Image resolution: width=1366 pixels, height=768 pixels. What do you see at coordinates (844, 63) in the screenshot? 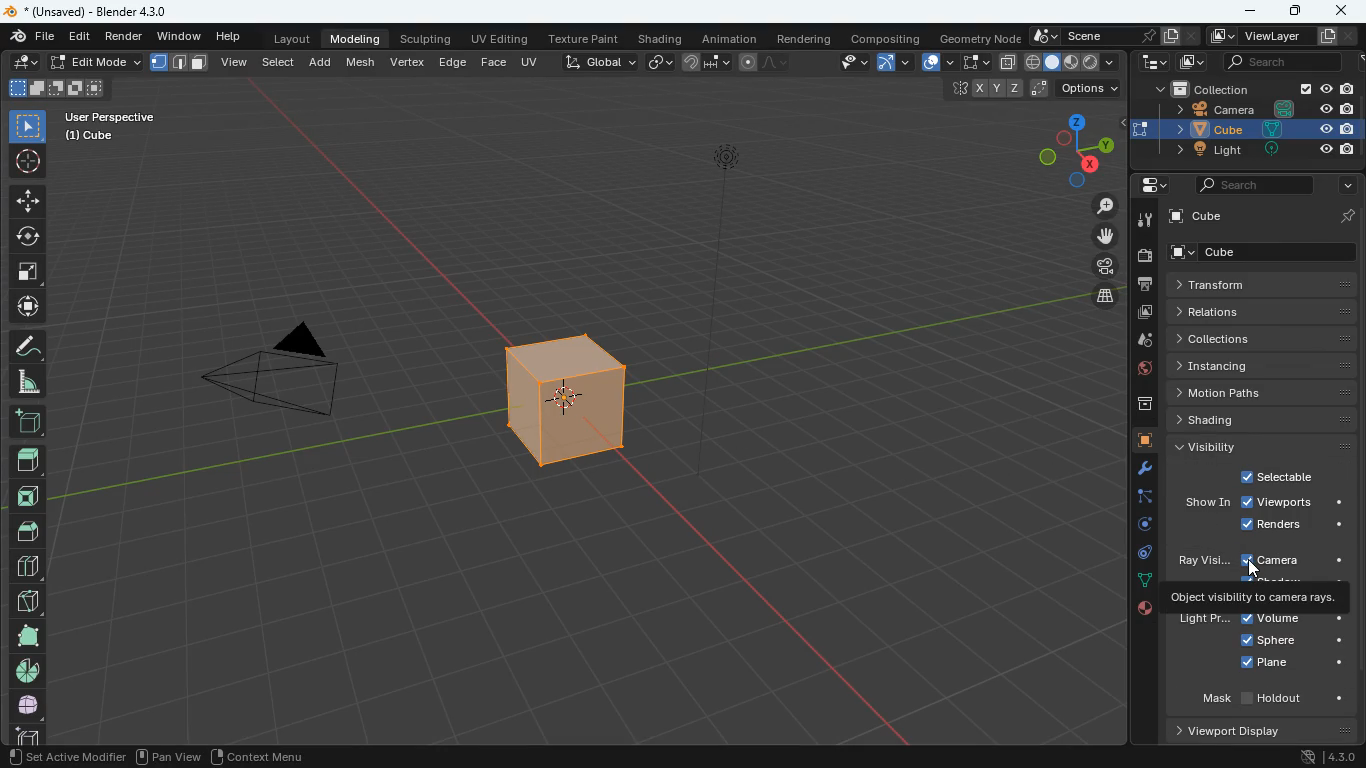
I see `view` at bounding box center [844, 63].